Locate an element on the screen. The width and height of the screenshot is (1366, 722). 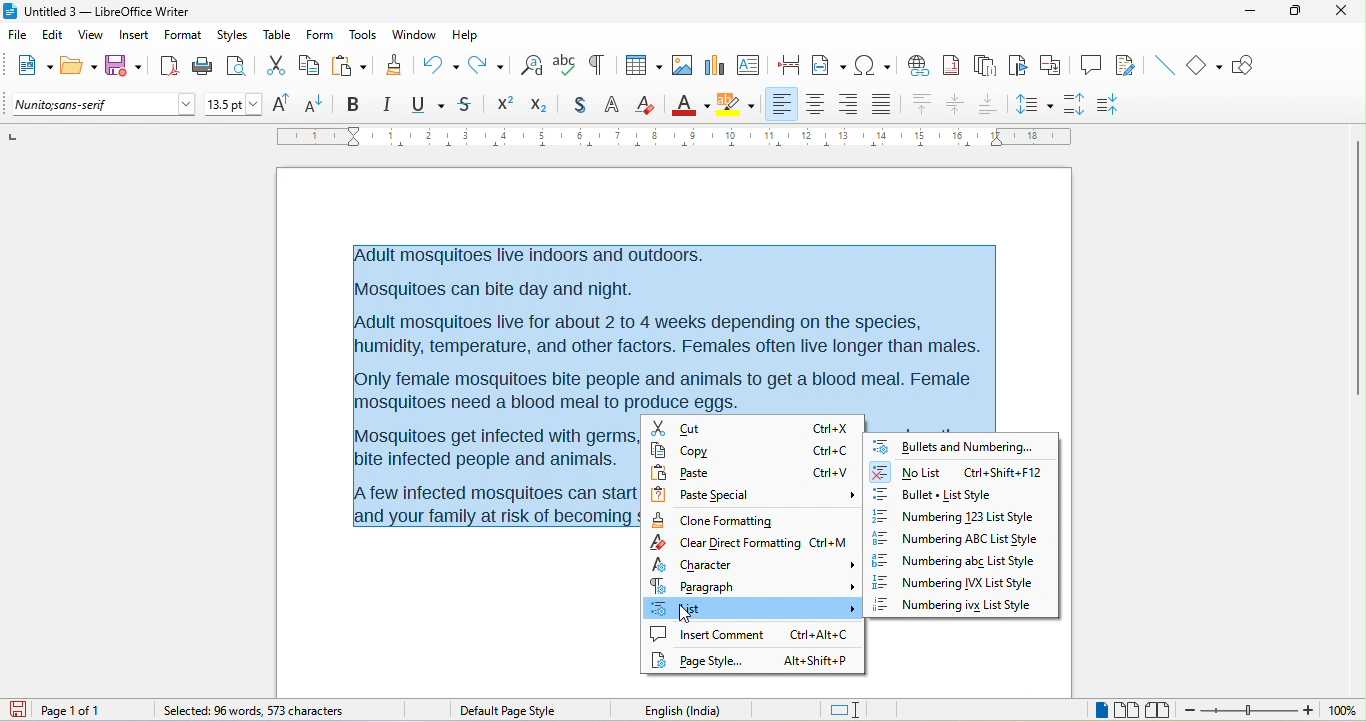
end note is located at coordinates (984, 65).